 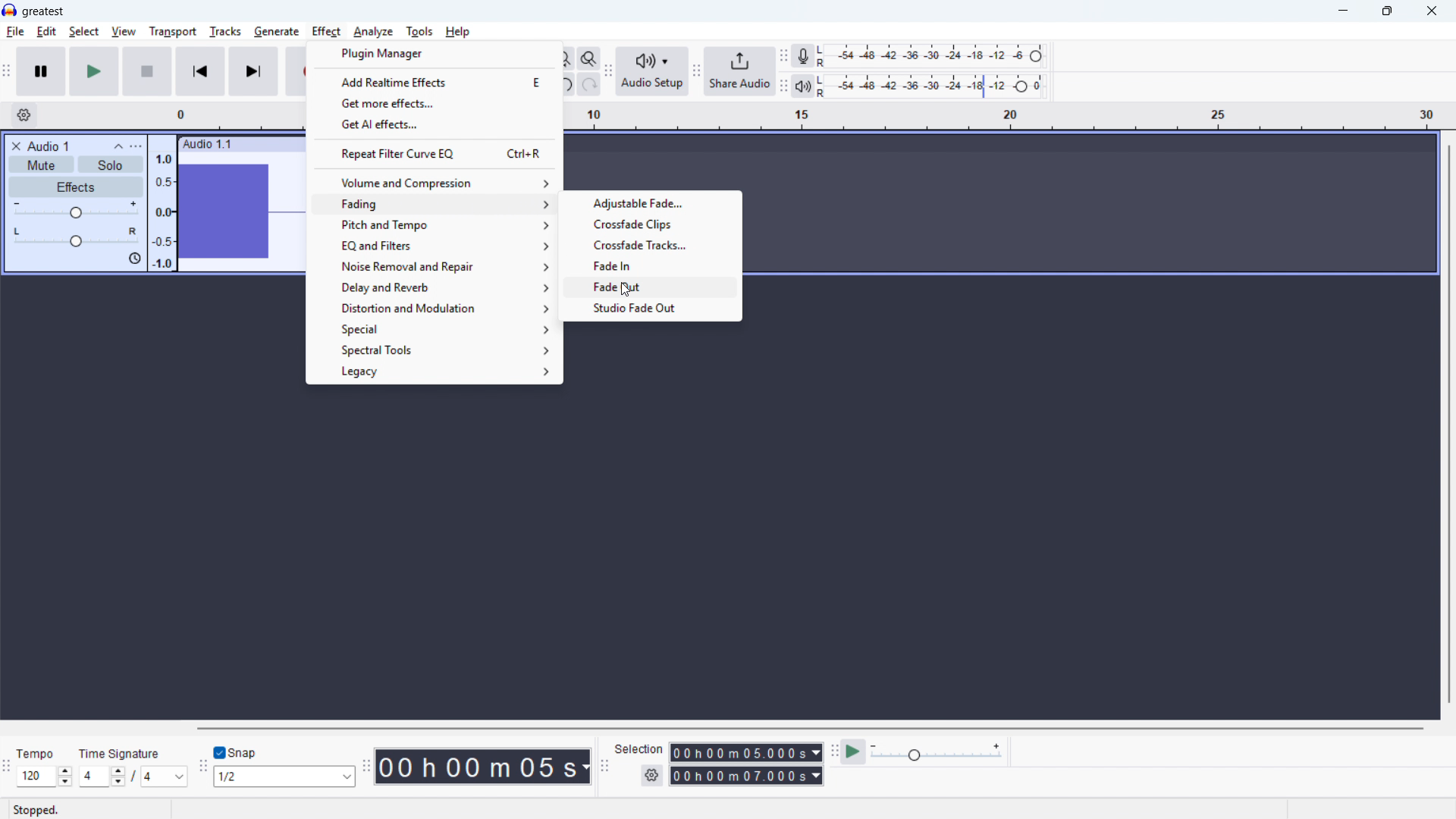 I want to click on file, so click(x=15, y=33).